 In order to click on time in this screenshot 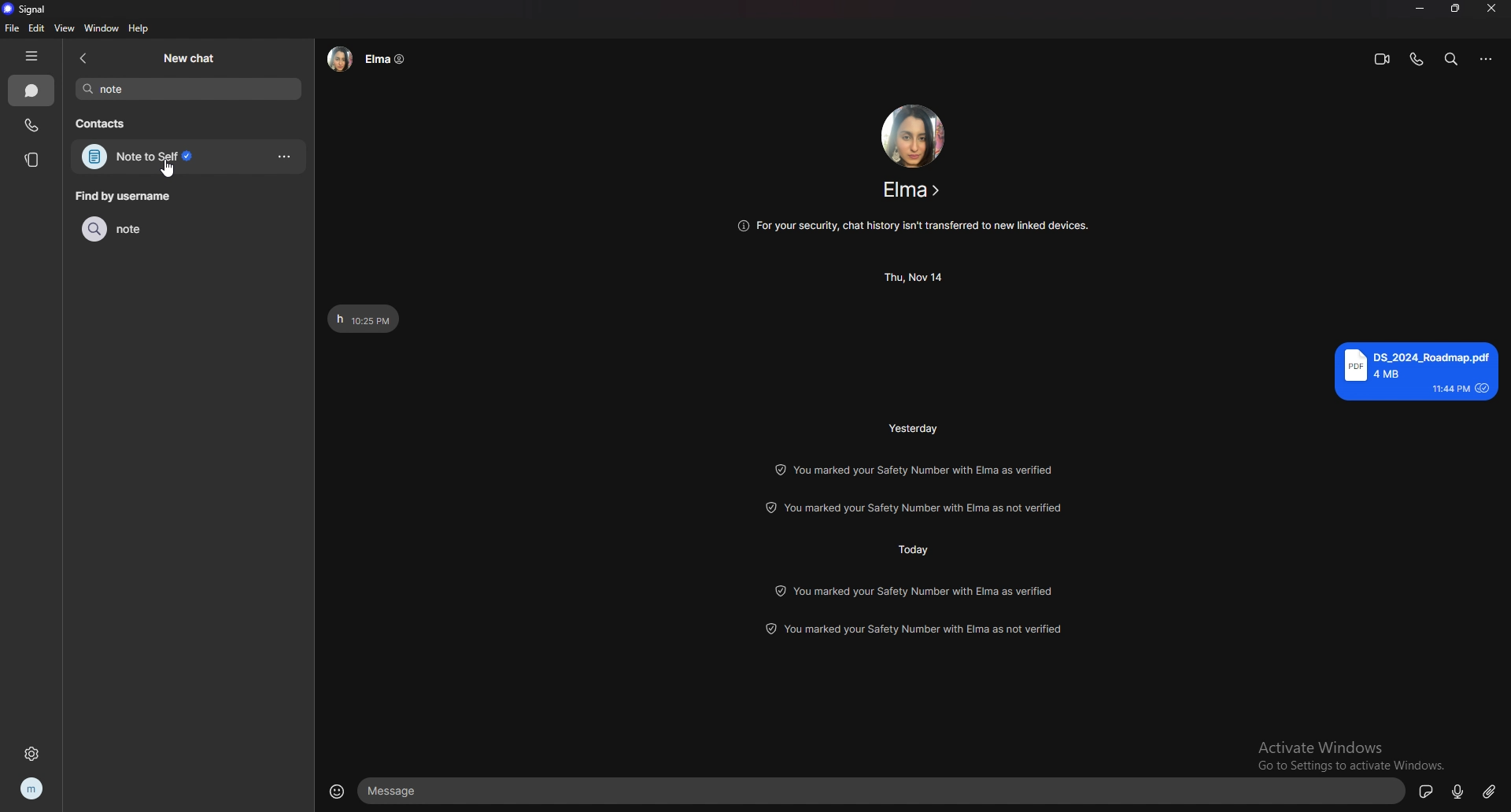, I will do `click(916, 277)`.